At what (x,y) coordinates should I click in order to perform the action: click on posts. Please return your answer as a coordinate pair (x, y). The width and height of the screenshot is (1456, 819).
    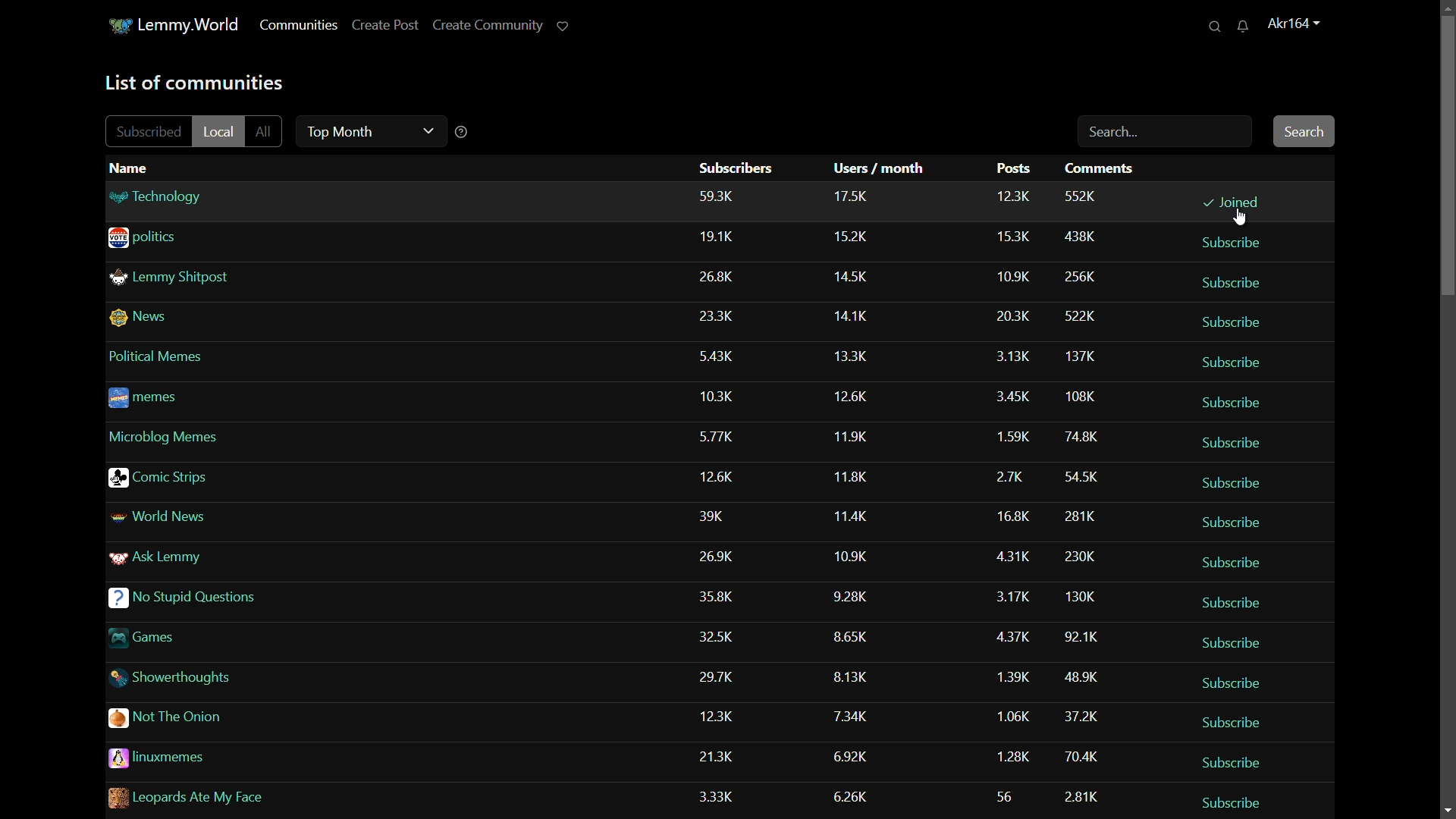
    Looking at the image, I should click on (1012, 595).